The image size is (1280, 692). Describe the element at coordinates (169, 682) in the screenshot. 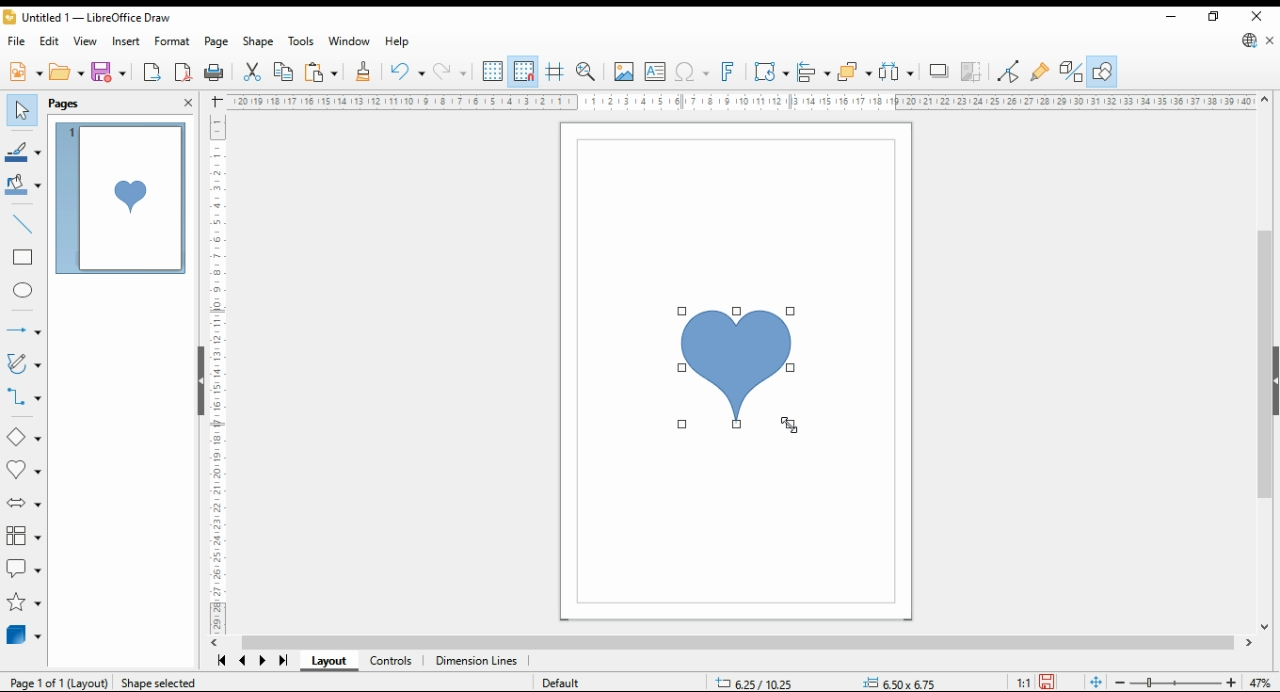

I see `Shape selected` at that location.